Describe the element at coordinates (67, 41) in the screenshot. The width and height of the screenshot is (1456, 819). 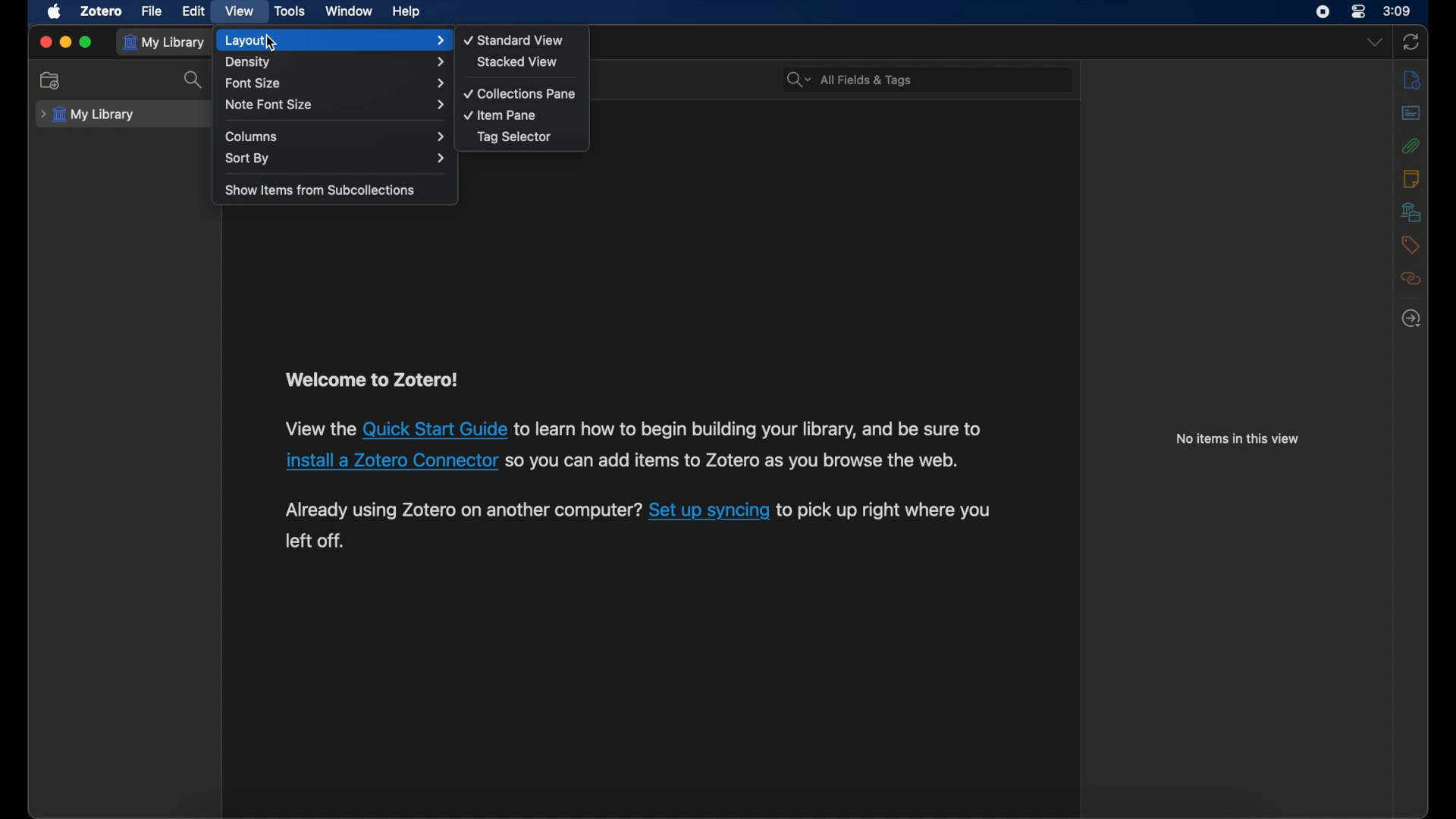
I see `minimize` at that location.